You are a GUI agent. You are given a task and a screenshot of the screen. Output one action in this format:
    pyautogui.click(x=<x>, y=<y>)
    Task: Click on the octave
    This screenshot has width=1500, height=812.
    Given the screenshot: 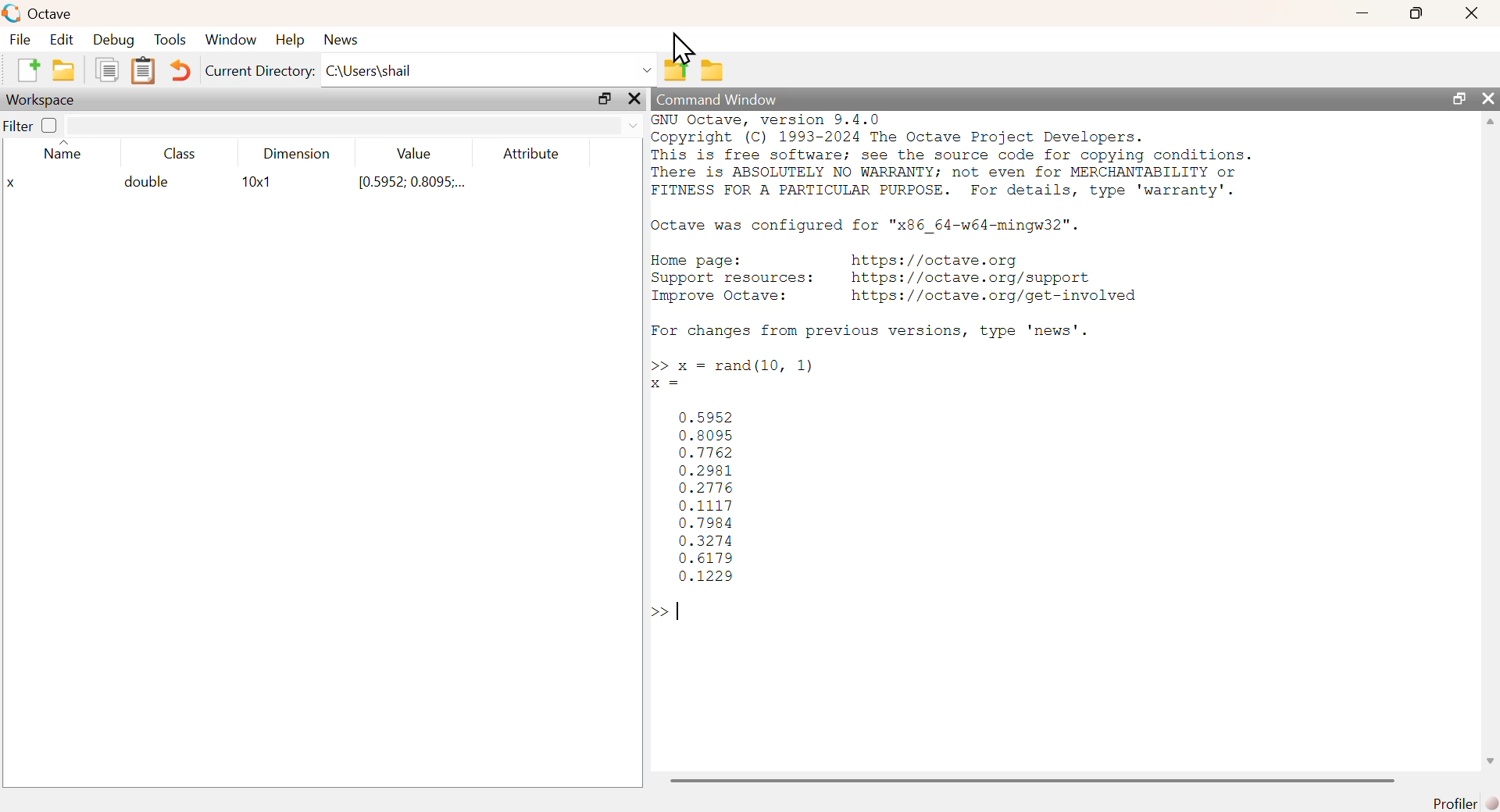 What is the action you would take?
    pyautogui.click(x=39, y=12)
    